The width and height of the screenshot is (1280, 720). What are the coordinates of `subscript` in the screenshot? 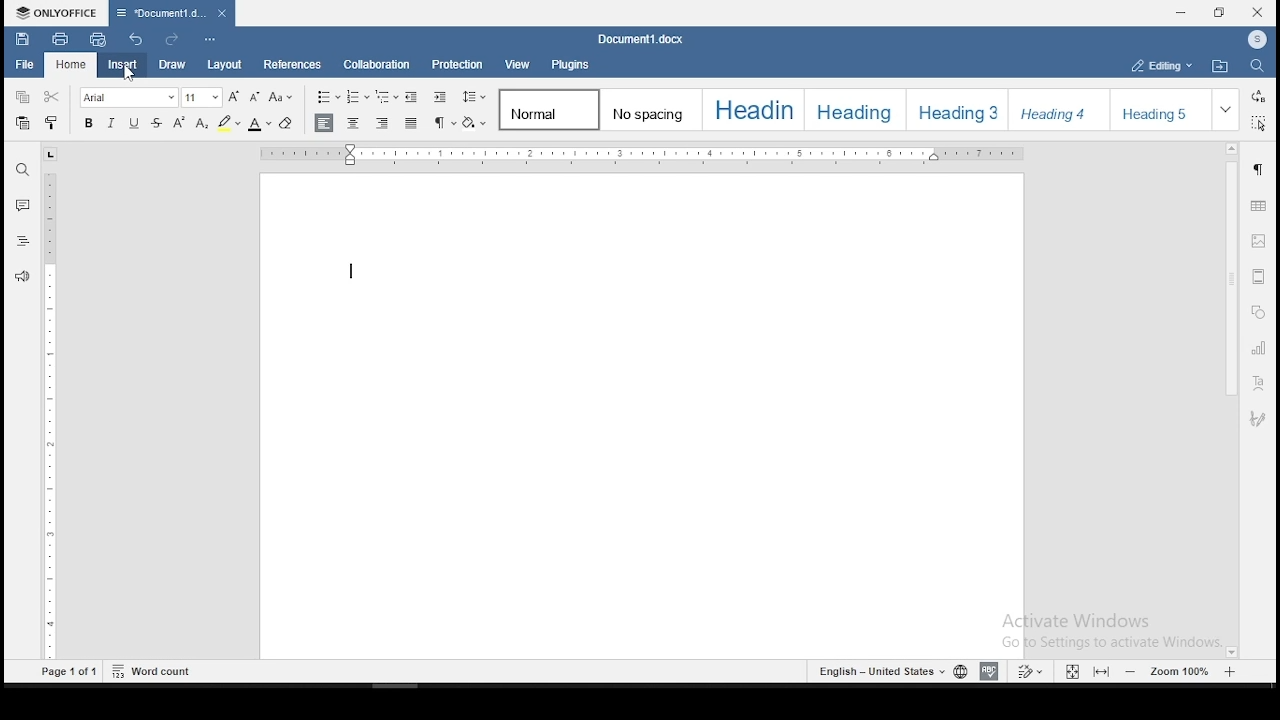 It's located at (202, 120).